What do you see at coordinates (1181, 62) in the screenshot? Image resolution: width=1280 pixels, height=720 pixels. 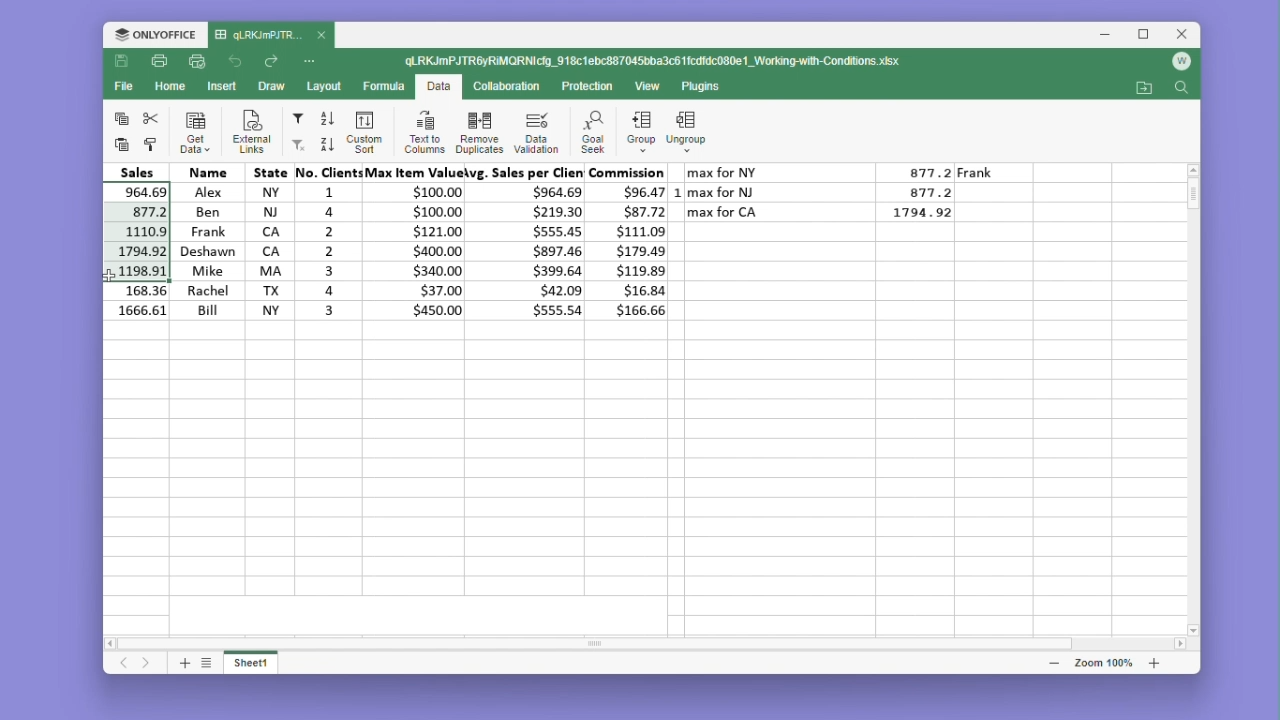 I see `Account icon` at bounding box center [1181, 62].